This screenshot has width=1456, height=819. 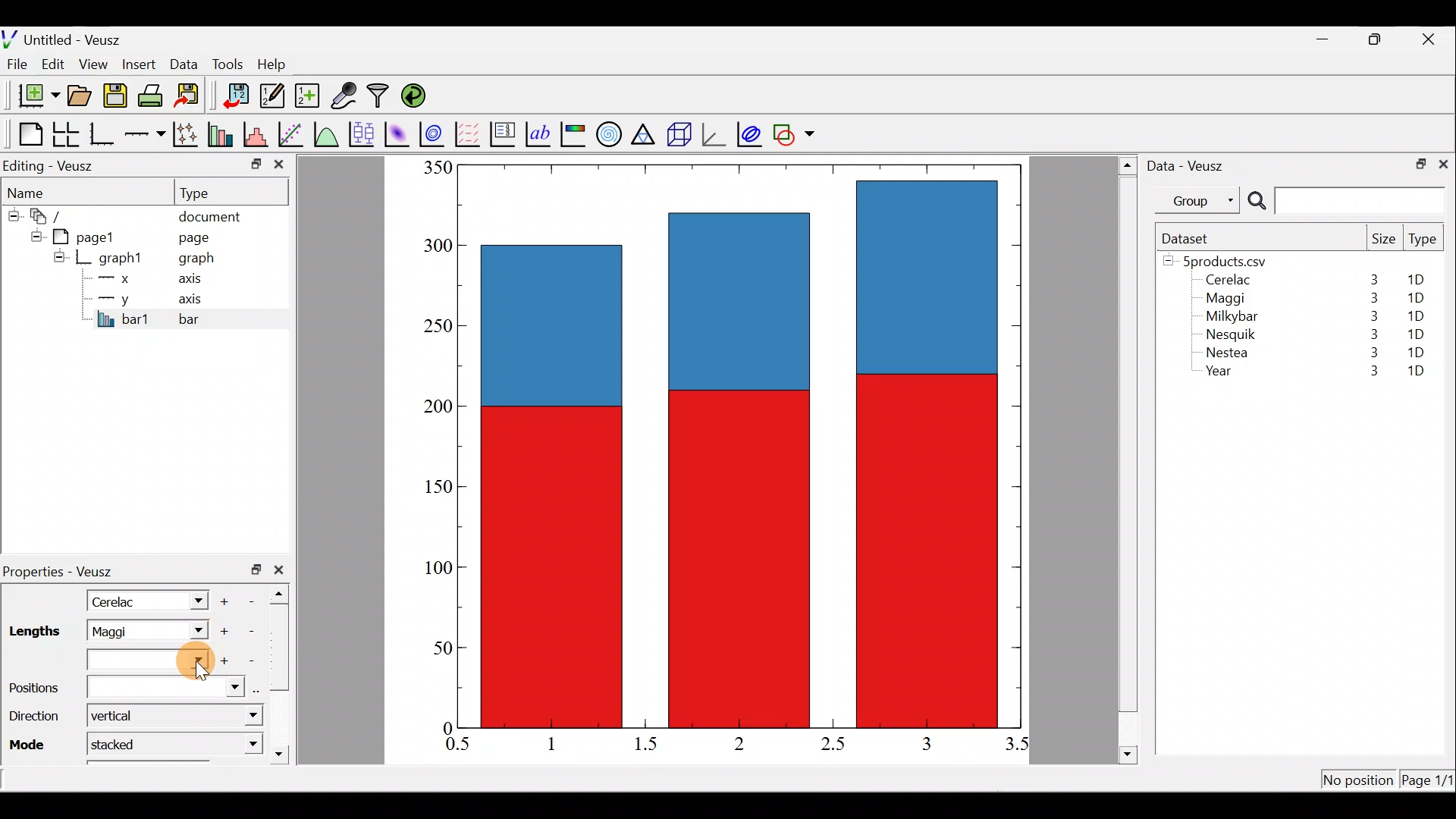 I want to click on Size, so click(x=1383, y=240).